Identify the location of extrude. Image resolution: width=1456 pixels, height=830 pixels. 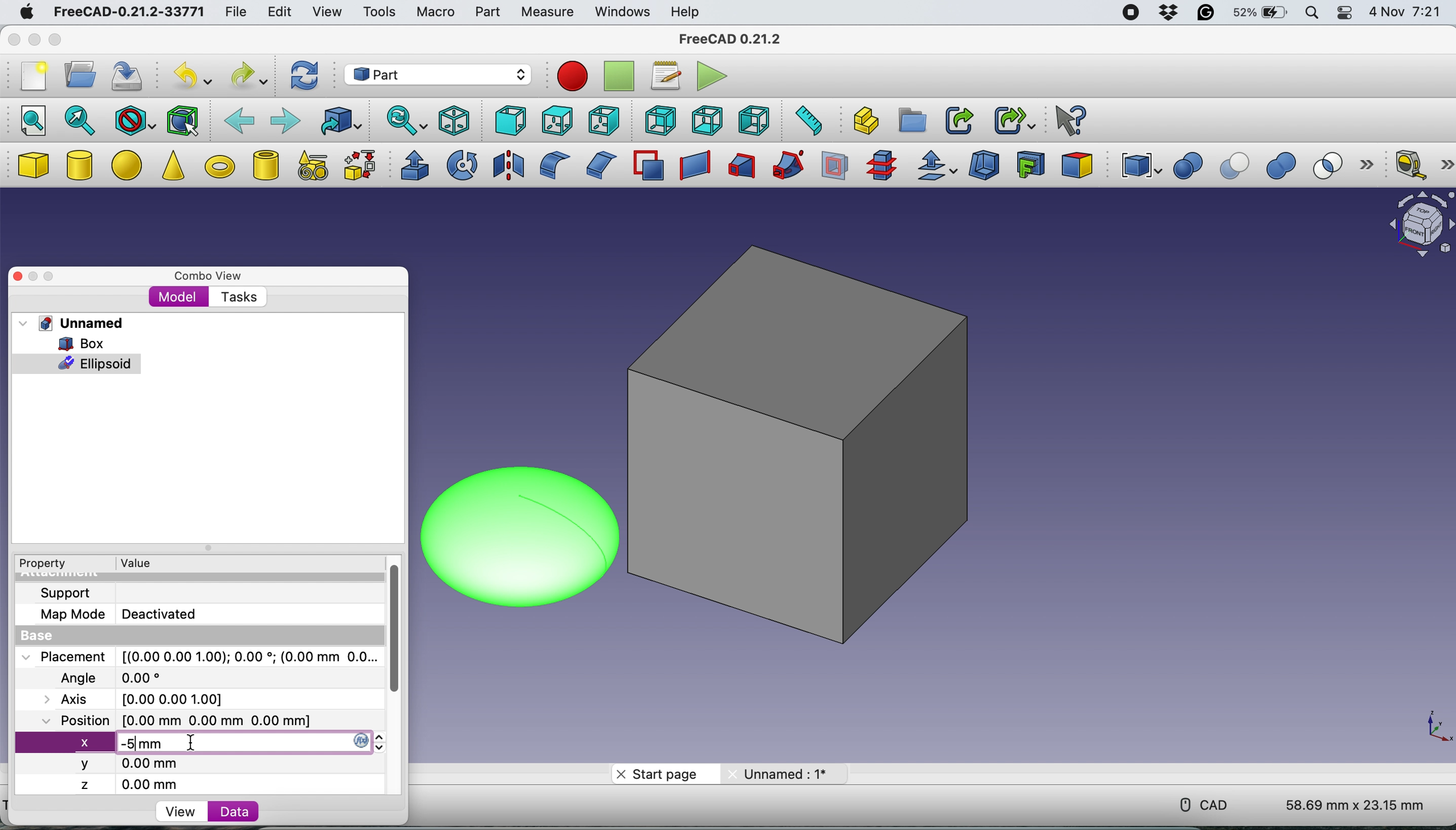
(411, 165).